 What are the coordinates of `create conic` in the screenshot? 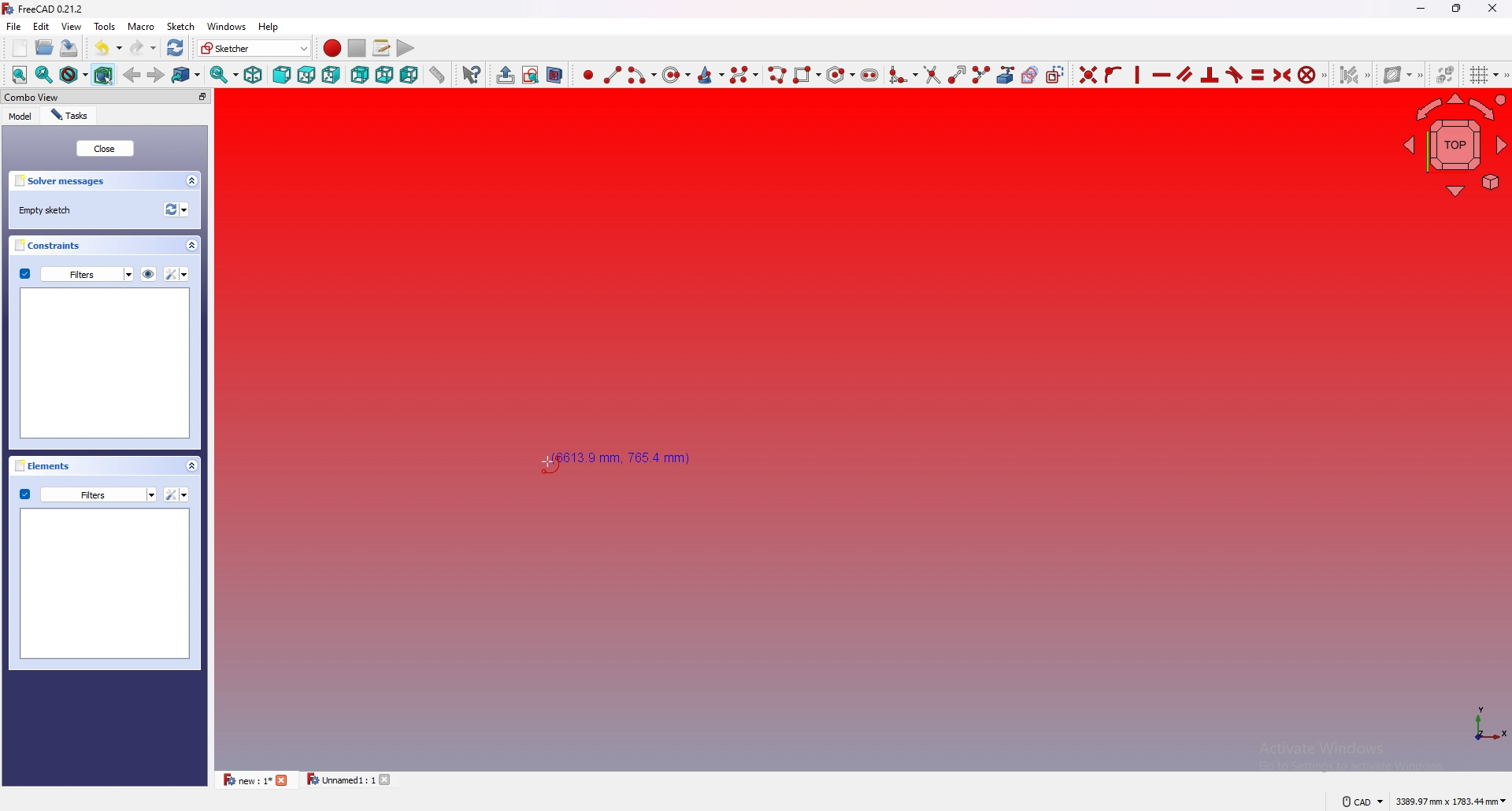 It's located at (710, 75).